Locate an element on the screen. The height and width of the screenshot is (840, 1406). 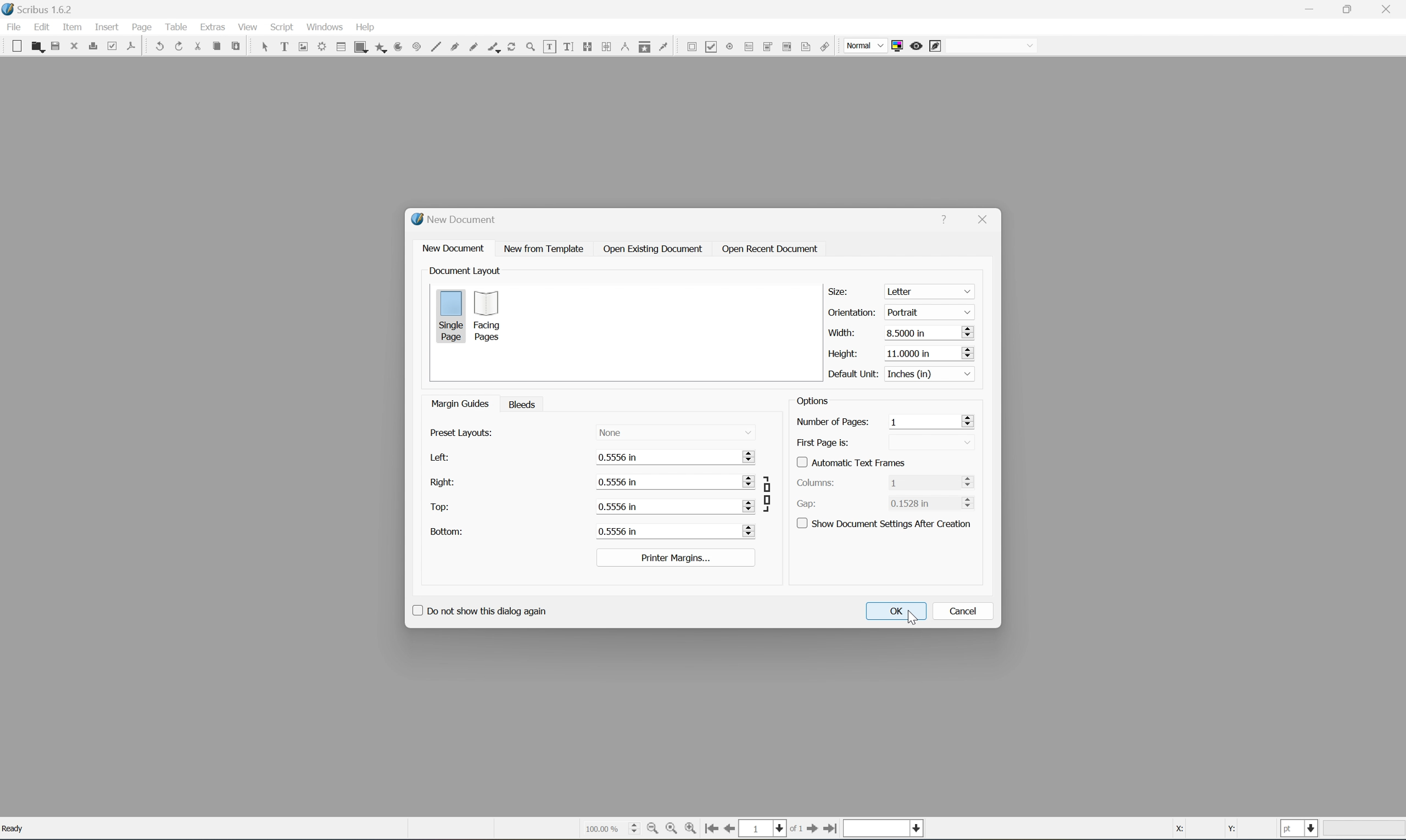
line is located at coordinates (436, 46).